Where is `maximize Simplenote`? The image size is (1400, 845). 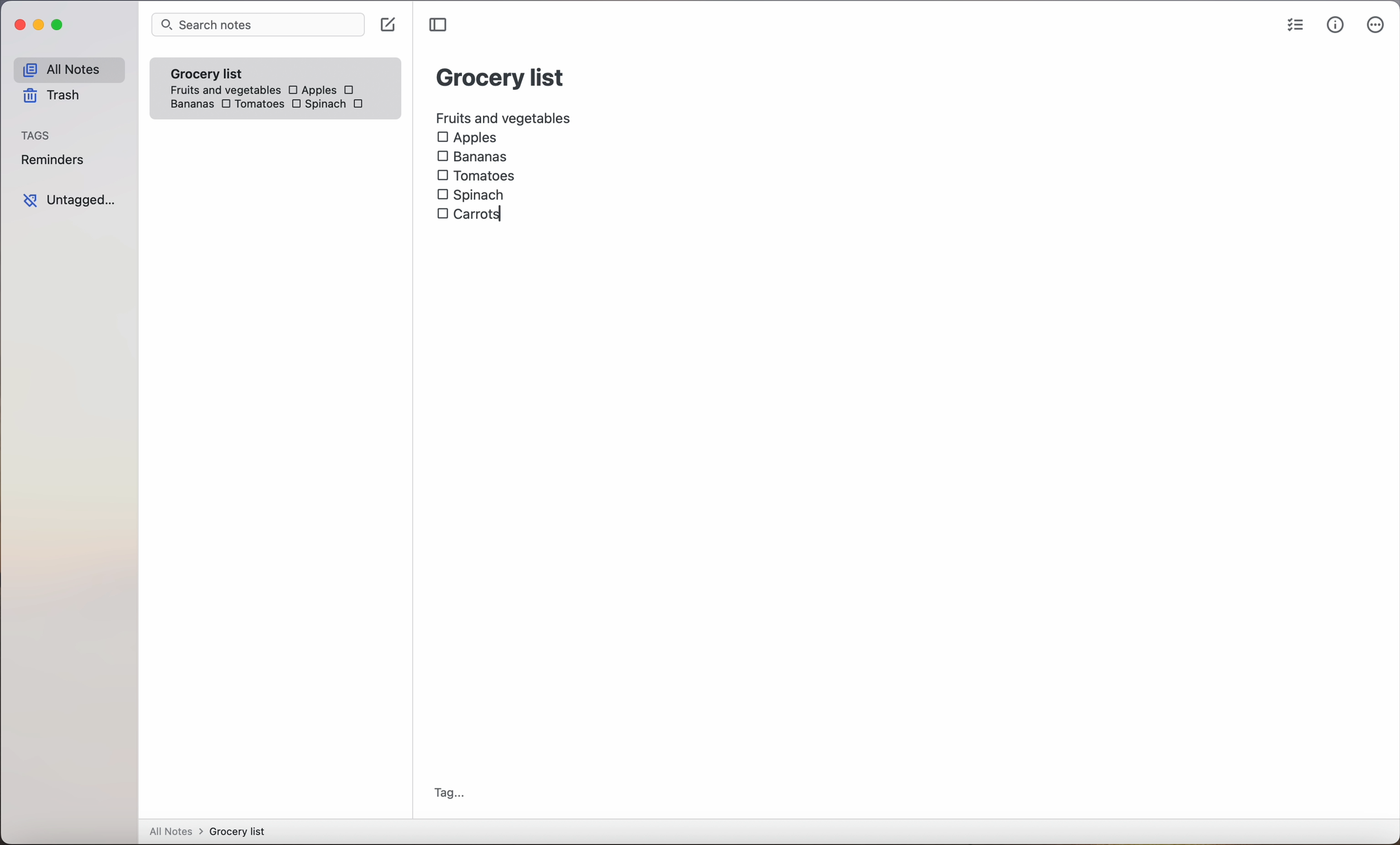
maximize Simplenote is located at coordinates (60, 26).